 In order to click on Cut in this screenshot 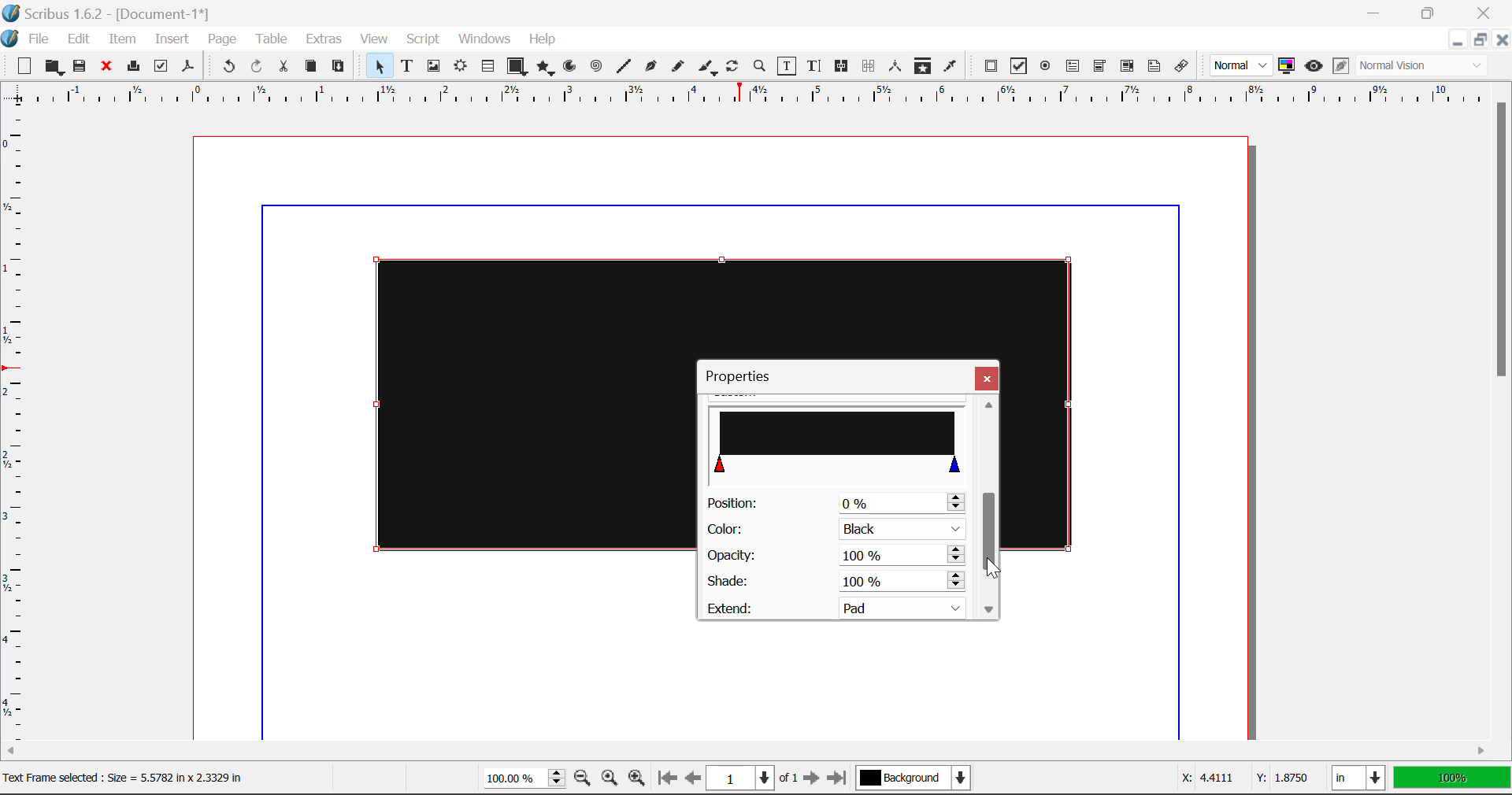, I will do `click(283, 67)`.